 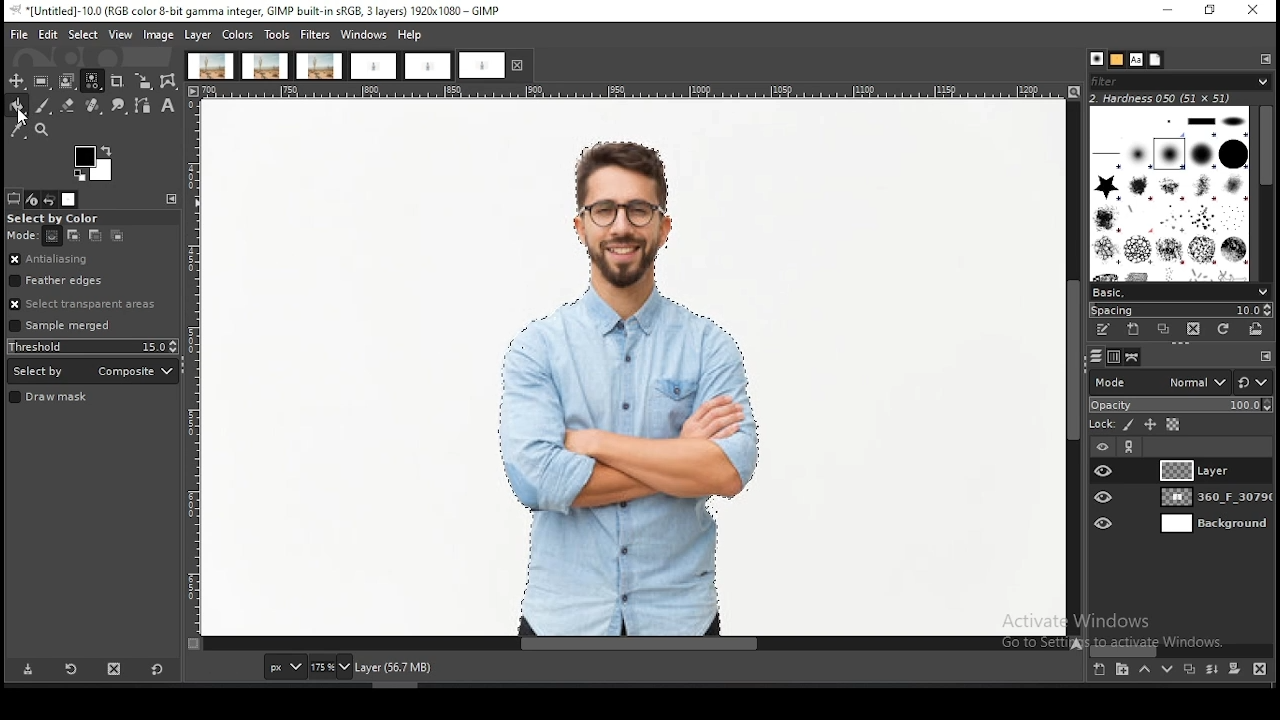 What do you see at coordinates (85, 34) in the screenshot?
I see `select` at bounding box center [85, 34].